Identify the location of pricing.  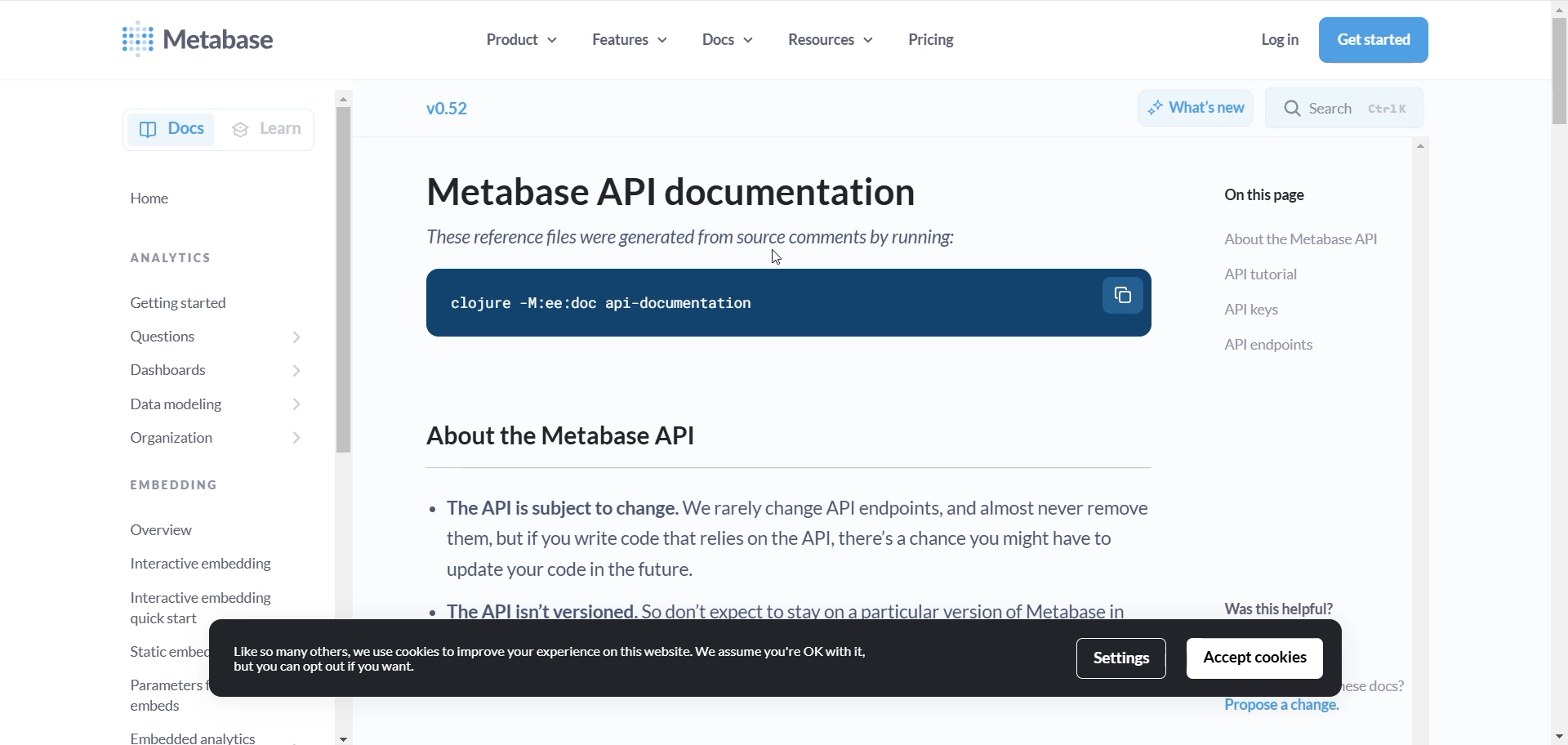
(939, 42).